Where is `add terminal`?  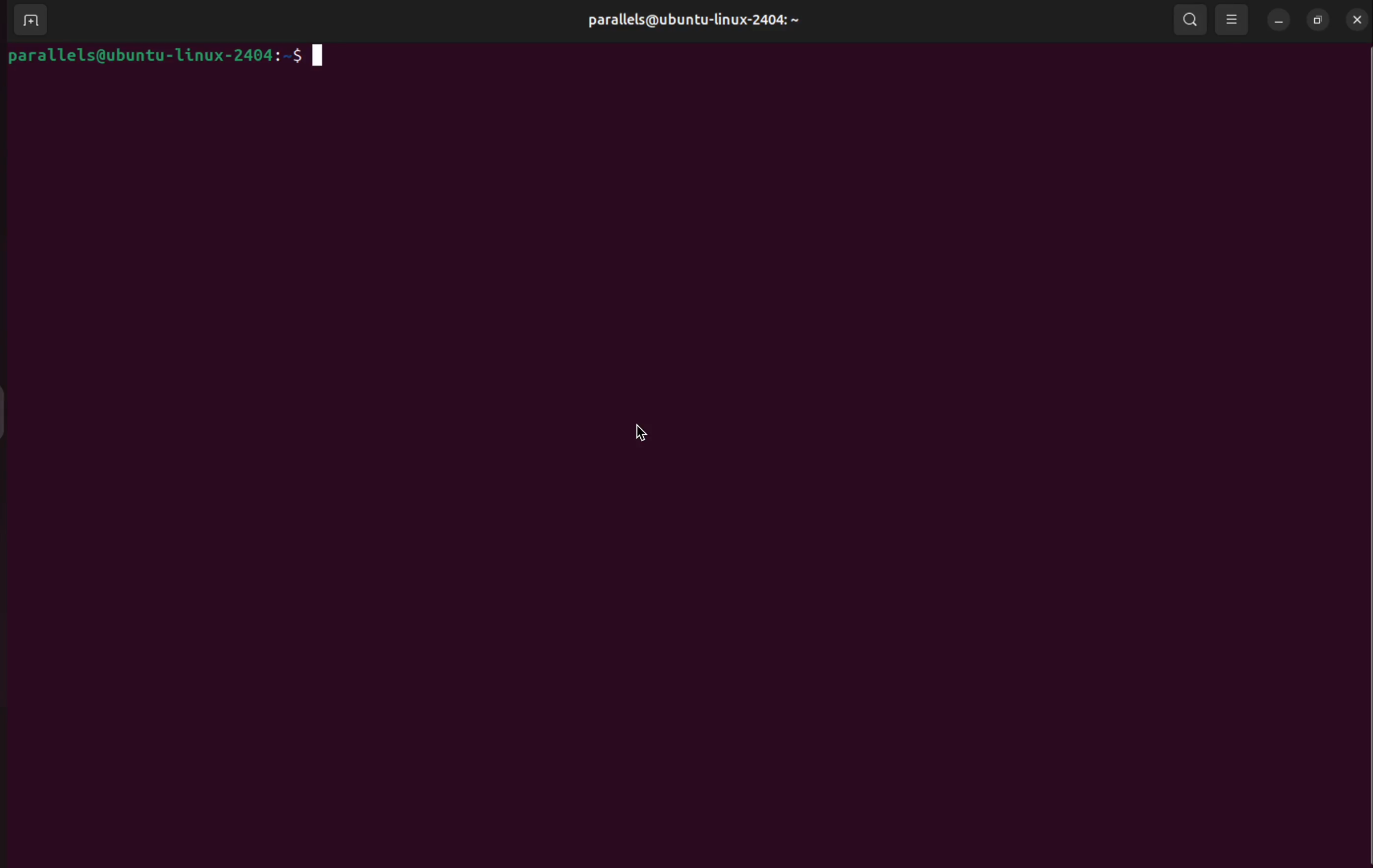 add terminal is located at coordinates (28, 22).